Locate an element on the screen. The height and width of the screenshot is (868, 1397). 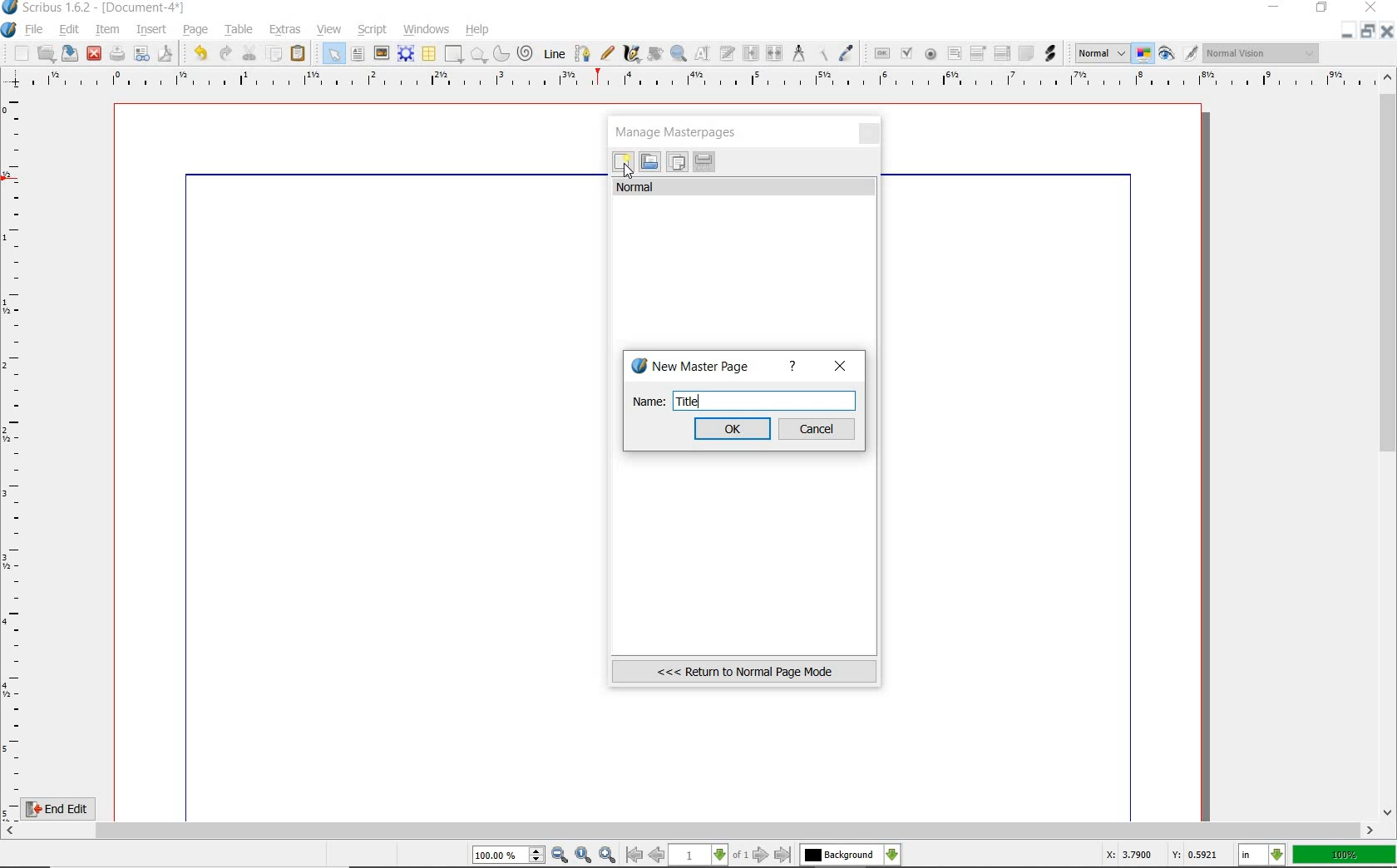
page is located at coordinates (196, 28).